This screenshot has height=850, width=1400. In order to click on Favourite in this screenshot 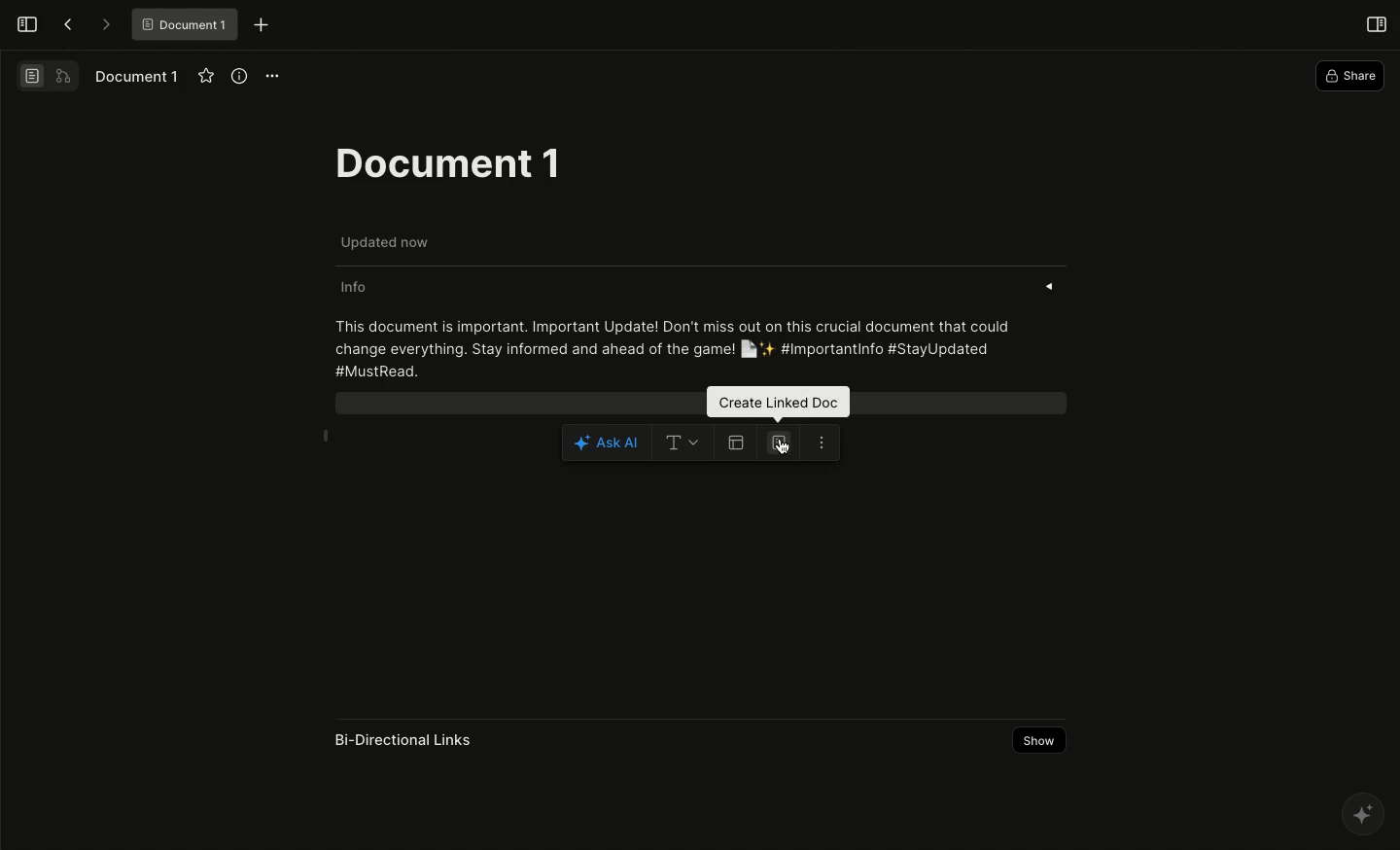, I will do `click(205, 76)`.